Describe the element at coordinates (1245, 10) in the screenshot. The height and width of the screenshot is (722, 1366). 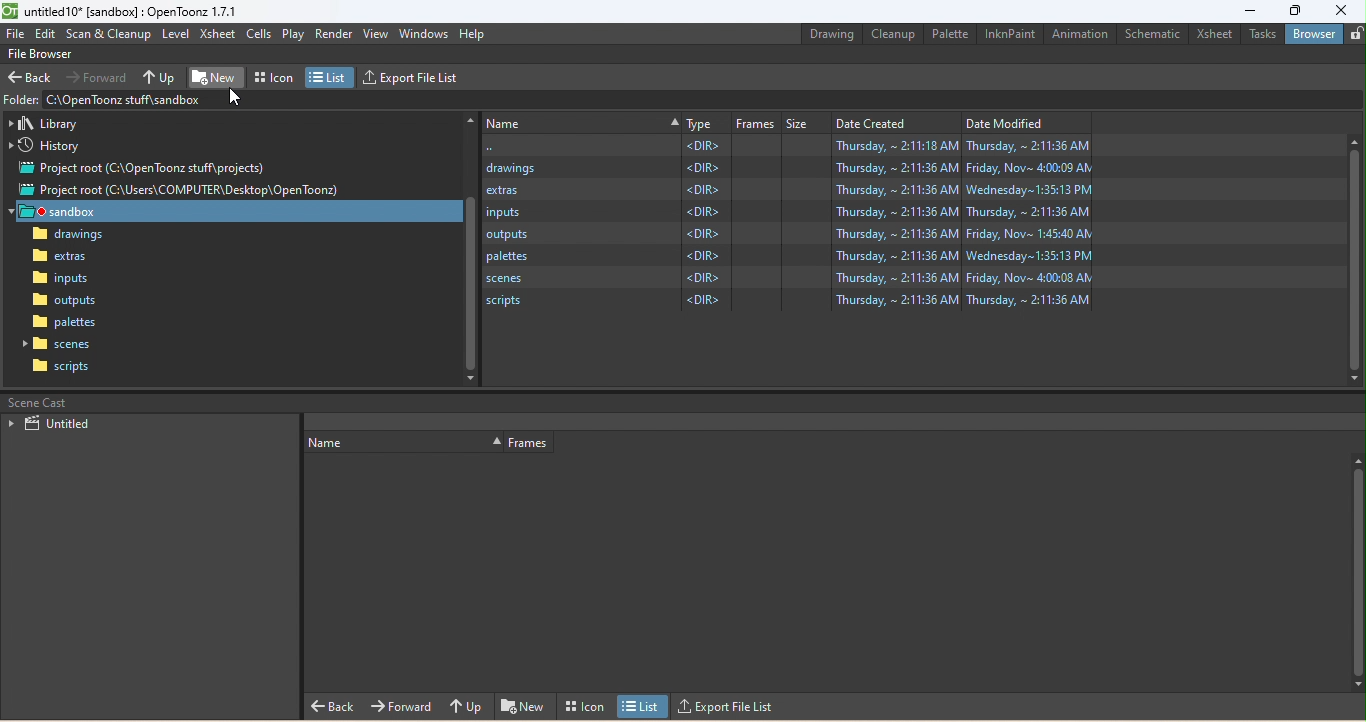
I see `Minimize` at that location.